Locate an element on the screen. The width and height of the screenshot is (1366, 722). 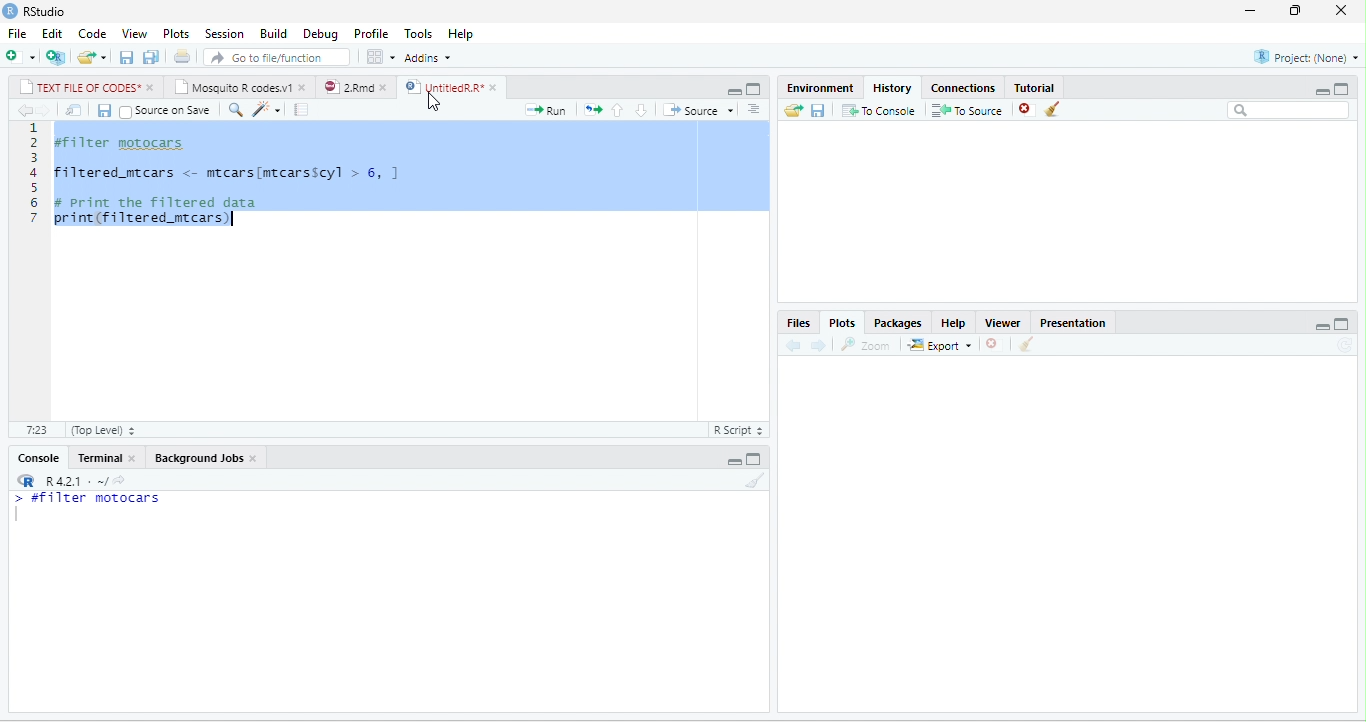
Session is located at coordinates (225, 33).